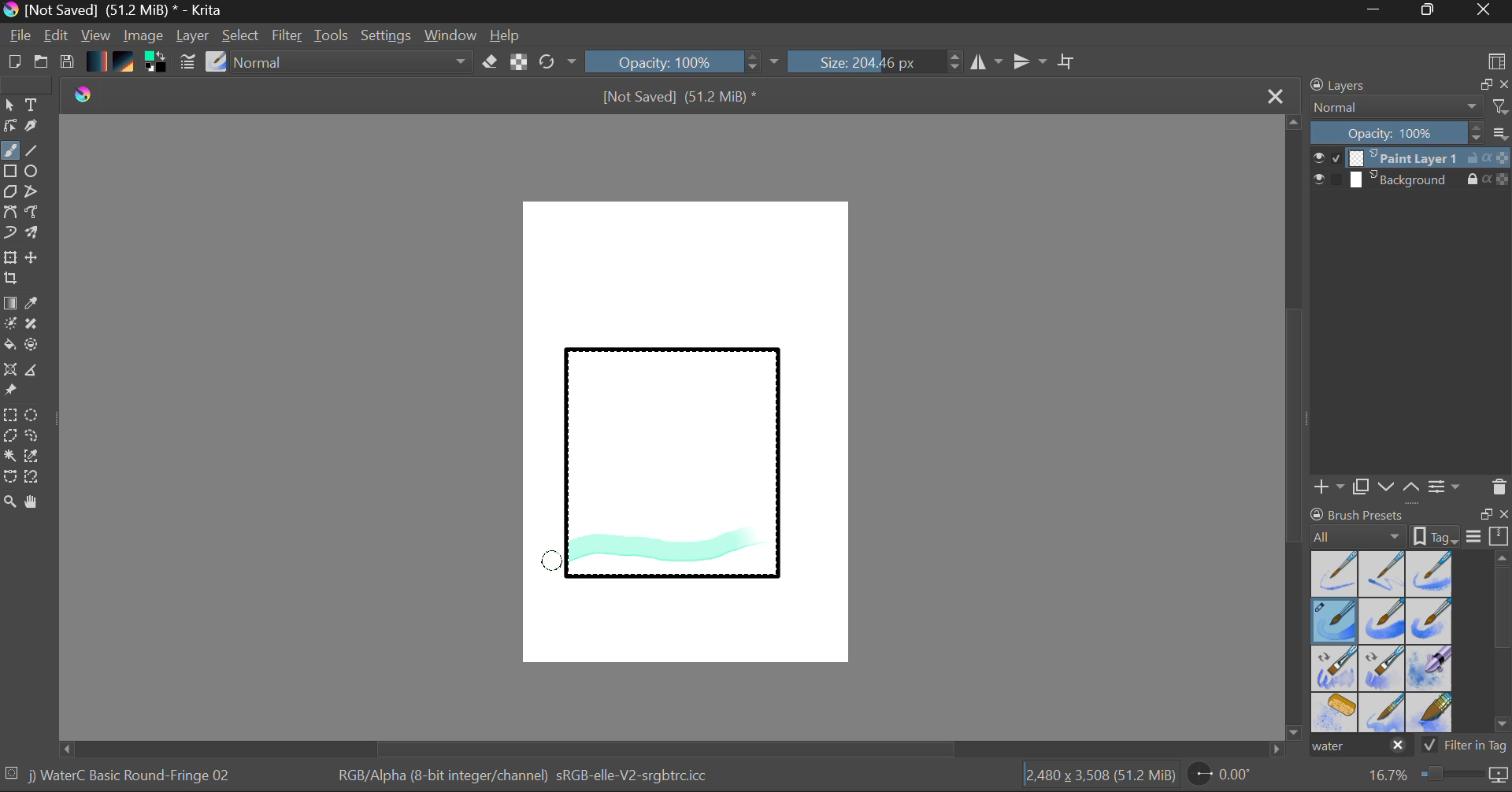 Image resolution: width=1512 pixels, height=792 pixels. I want to click on Edit, so click(57, 37).